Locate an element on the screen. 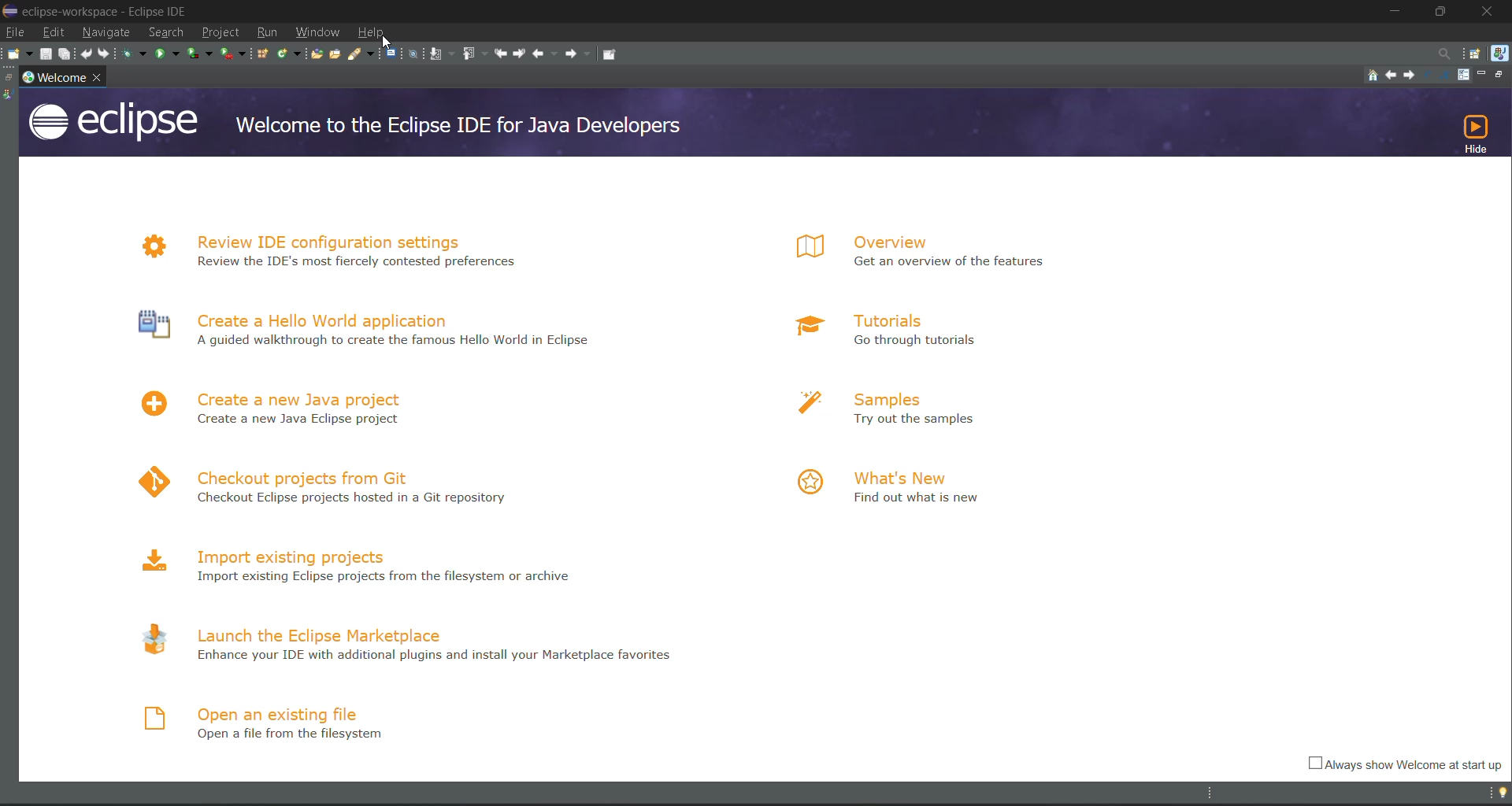  import existing projects is located at coordinates (362, 555).